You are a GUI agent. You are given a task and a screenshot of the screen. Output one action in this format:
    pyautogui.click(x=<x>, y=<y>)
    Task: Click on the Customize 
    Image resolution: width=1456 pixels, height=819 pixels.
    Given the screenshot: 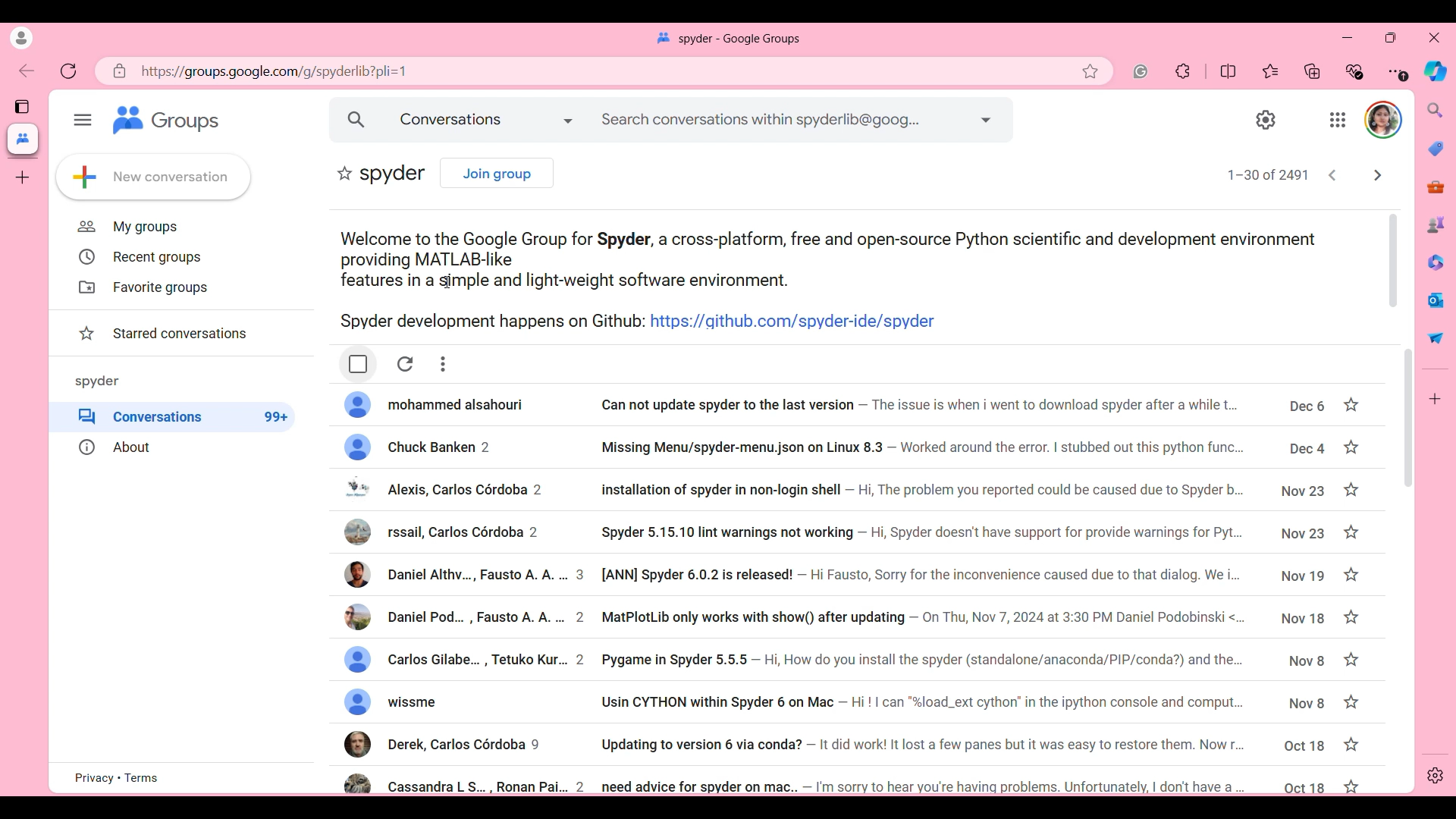 What is the action you would take?
    pyautogui.click(x=1435, y=399)
    